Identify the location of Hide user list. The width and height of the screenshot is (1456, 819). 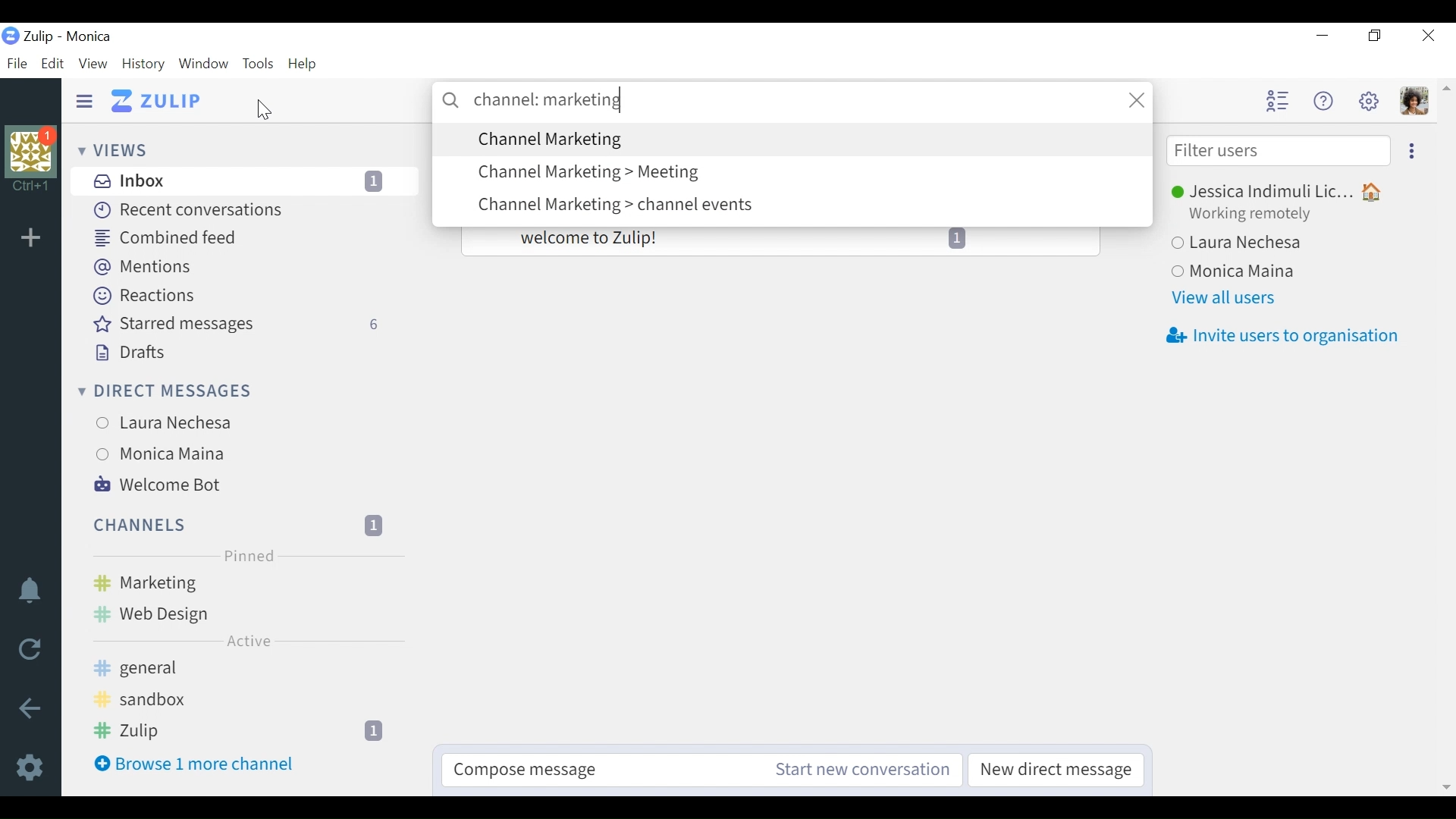
(1278, 102).